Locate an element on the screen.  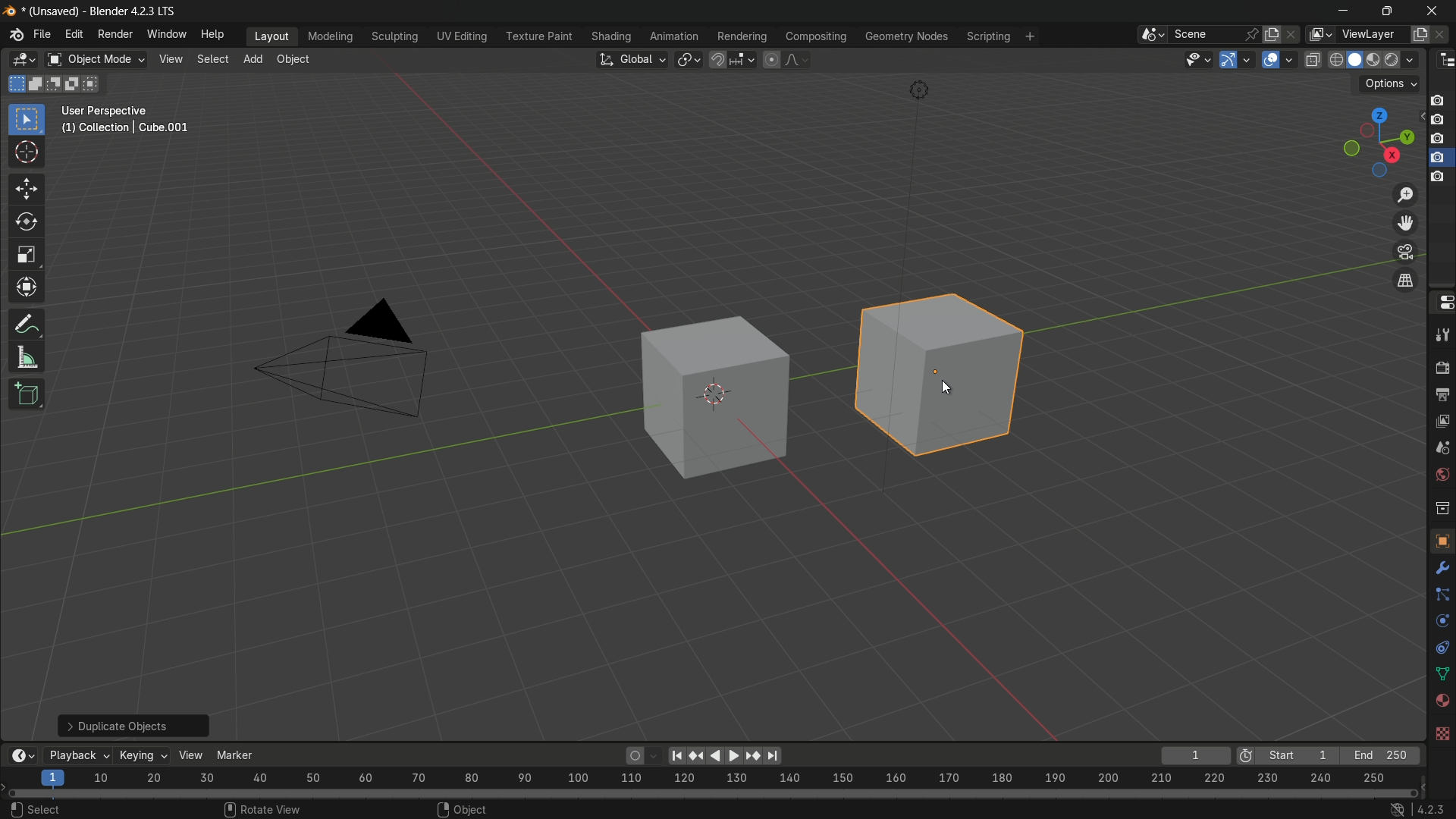
wireframe display is located at coordinates (1335, 60).